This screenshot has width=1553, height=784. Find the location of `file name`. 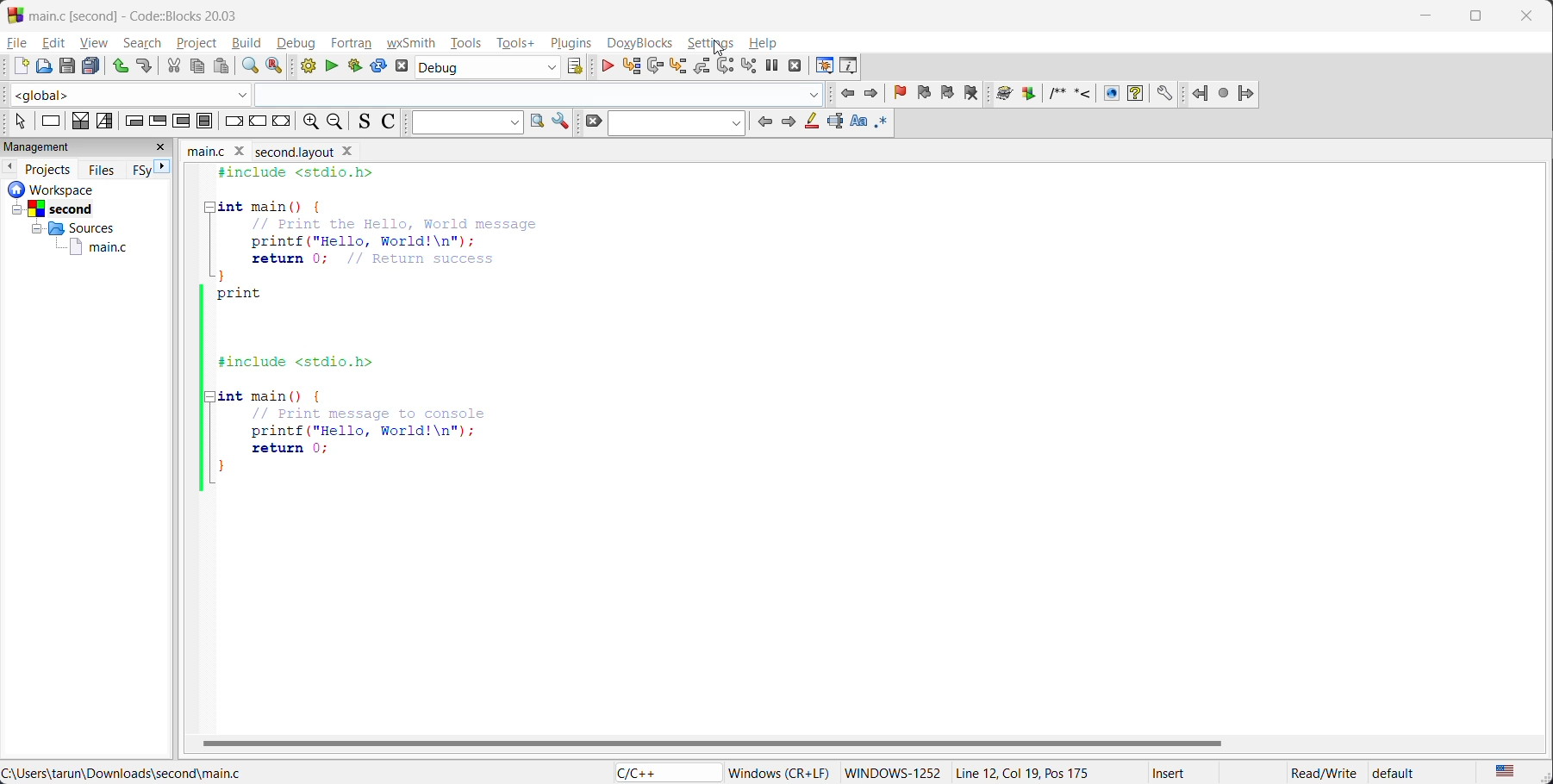

file name is located at coordinates (219, 149).